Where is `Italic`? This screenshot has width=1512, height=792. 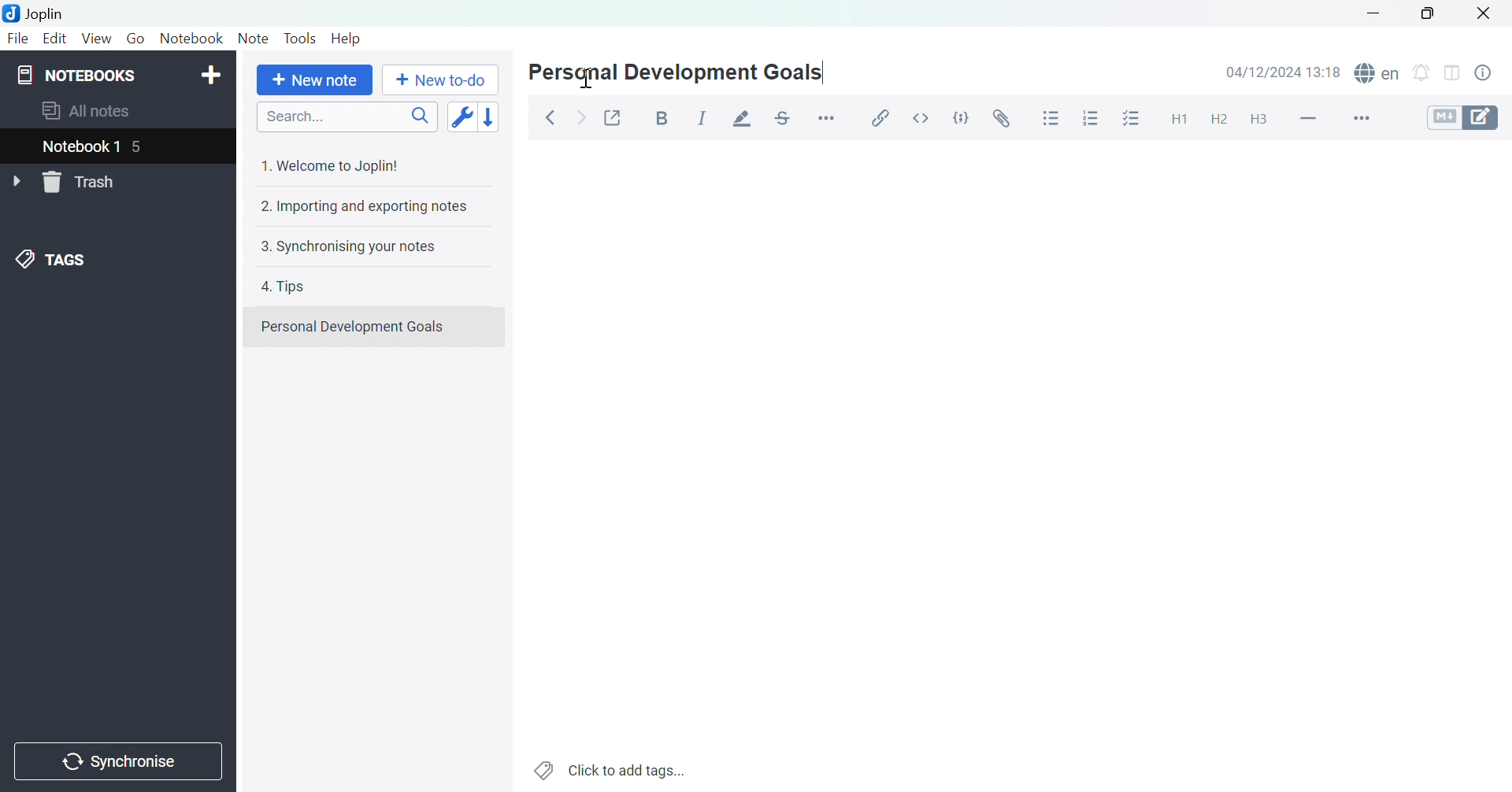
Italic is located at coordinates (702, 117).